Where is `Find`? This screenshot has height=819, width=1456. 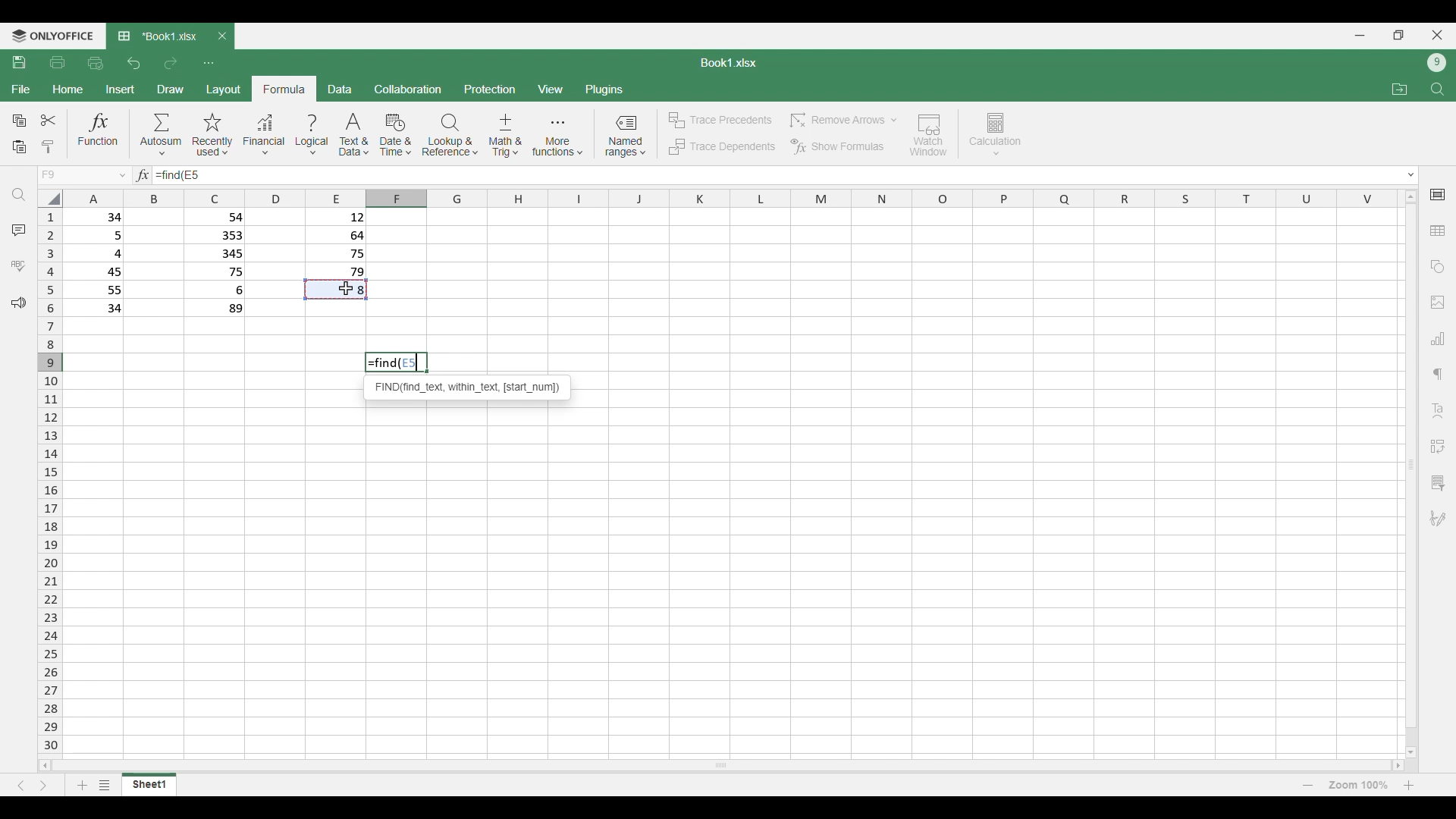
Find is located at coordinates (1437, 89).